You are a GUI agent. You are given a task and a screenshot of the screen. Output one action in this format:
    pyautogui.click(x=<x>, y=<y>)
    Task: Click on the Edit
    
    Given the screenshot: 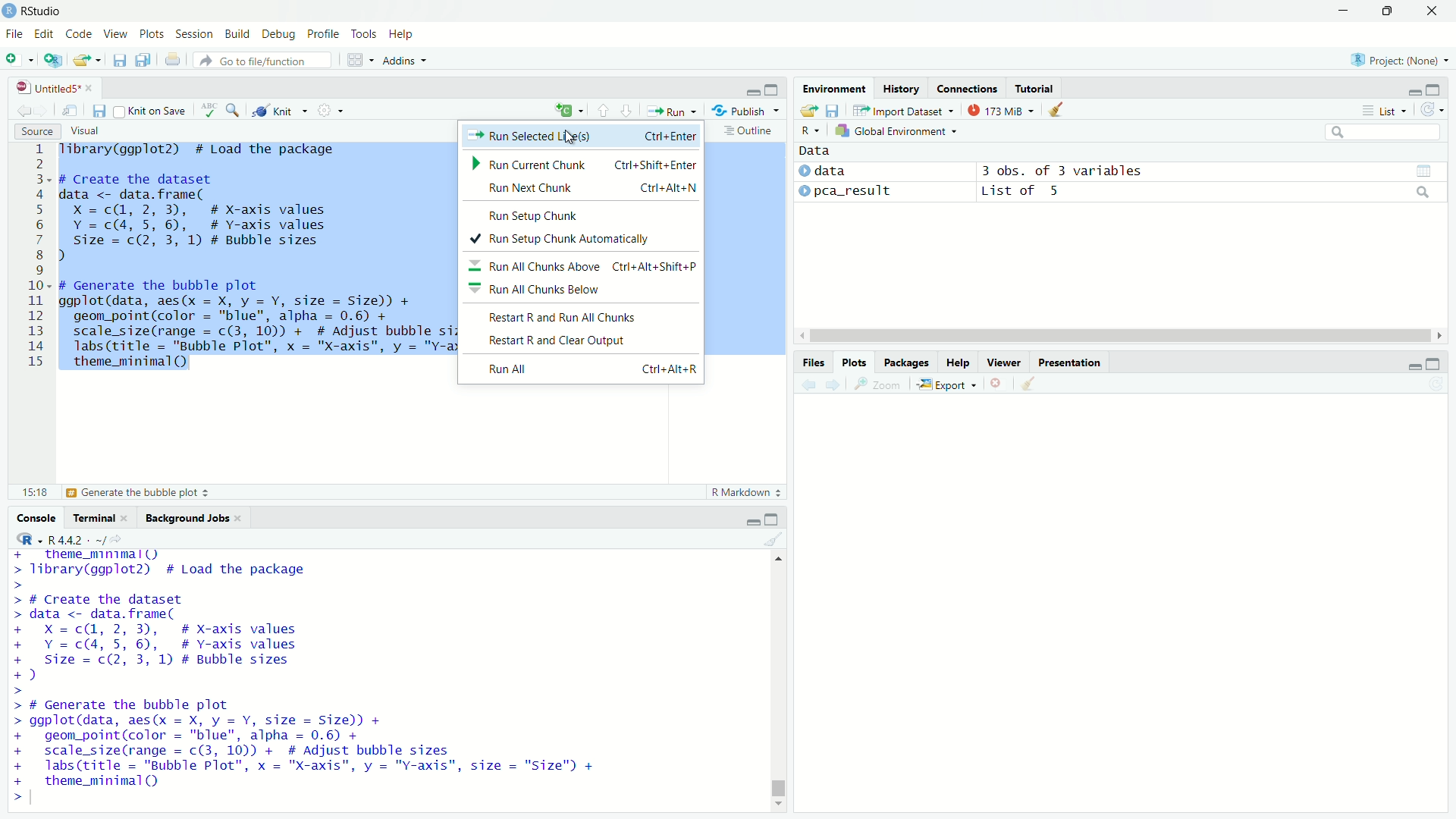 What is the action you would take?
    pyautogui.click(x=46, y=35)
    